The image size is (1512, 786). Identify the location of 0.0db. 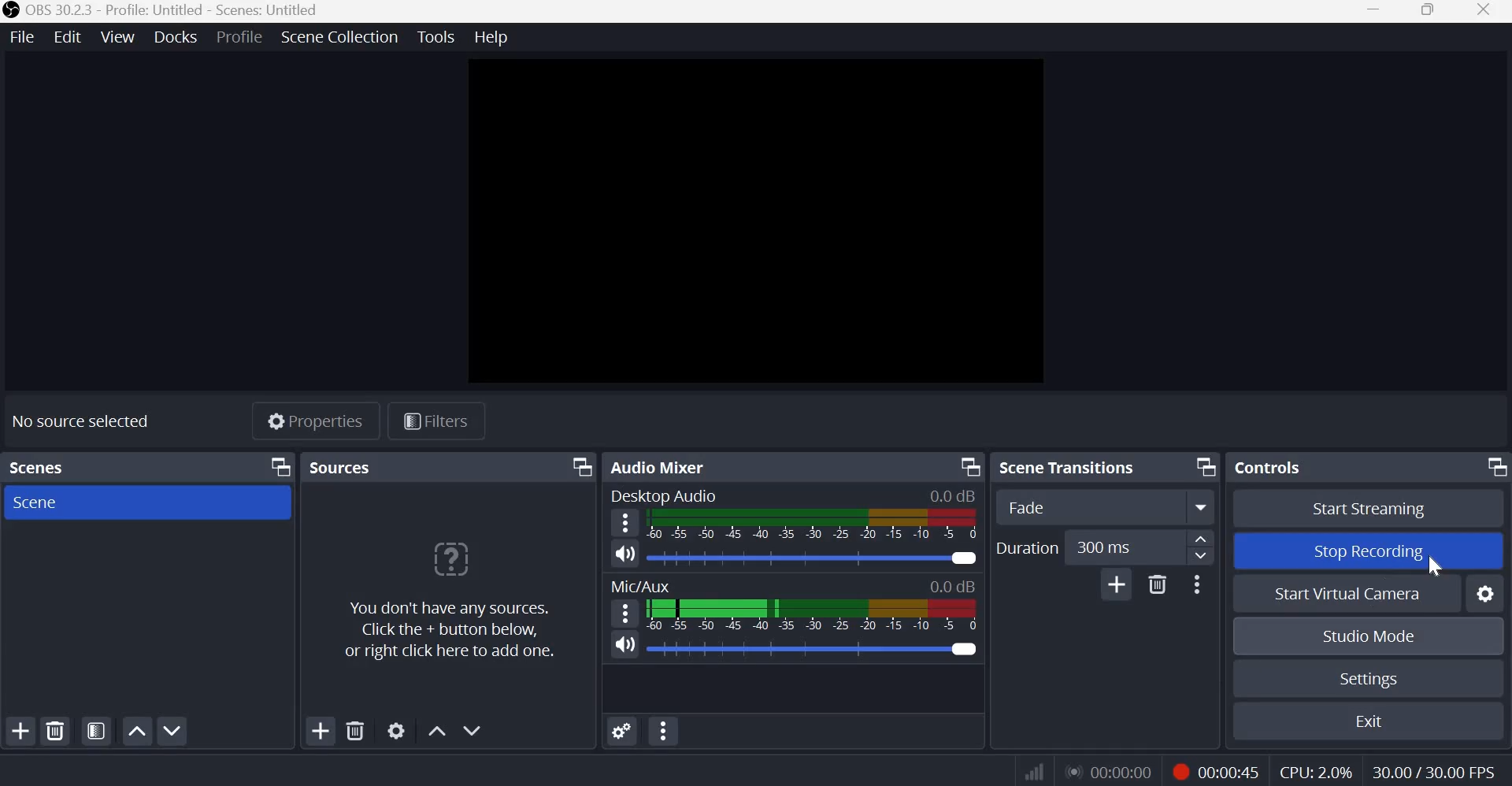
(950, 586).